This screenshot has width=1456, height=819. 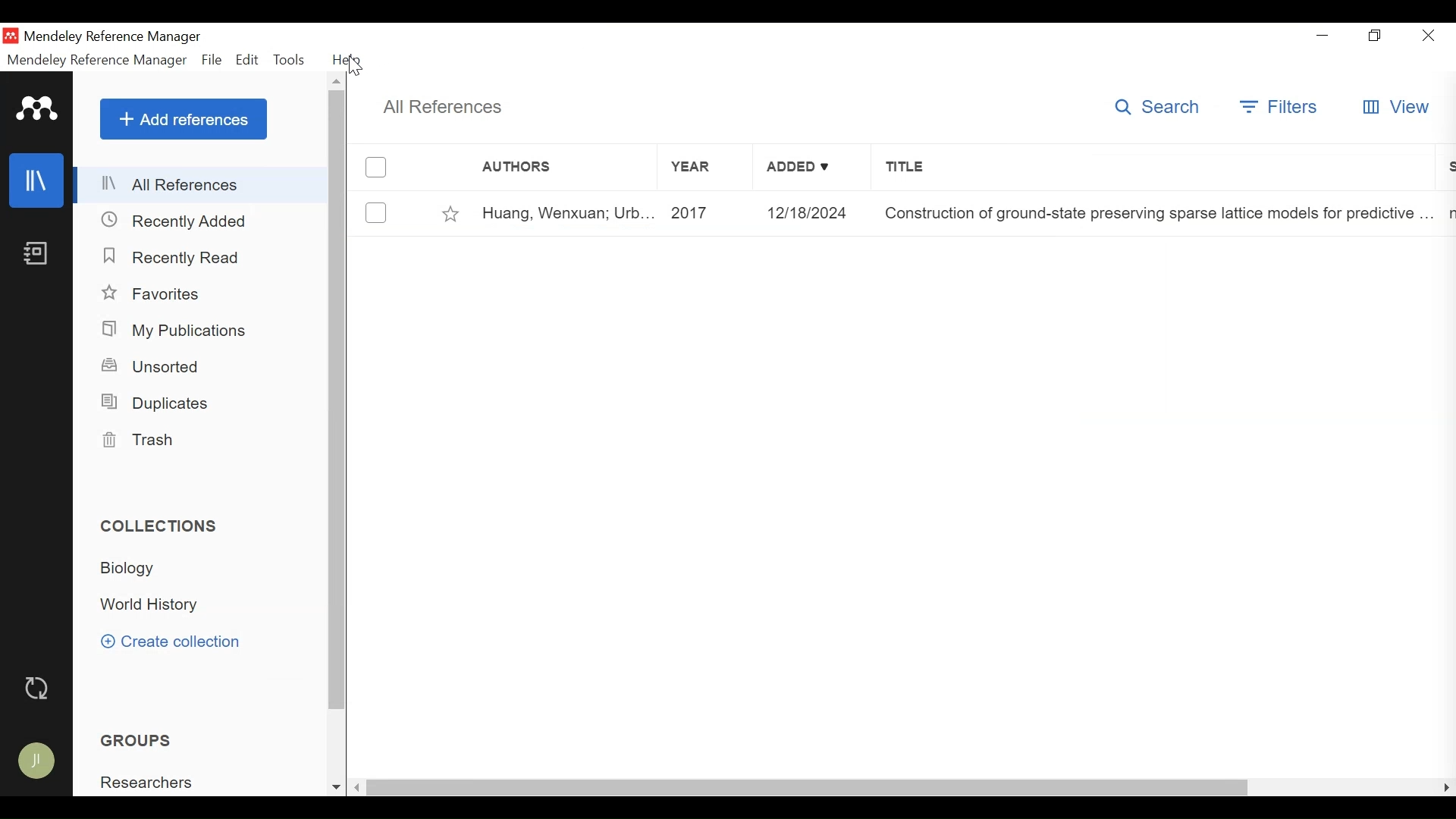 What do you see at coordinates (356, 61) in the screenshot?
I see `Help` at bounding box center [356, 61].